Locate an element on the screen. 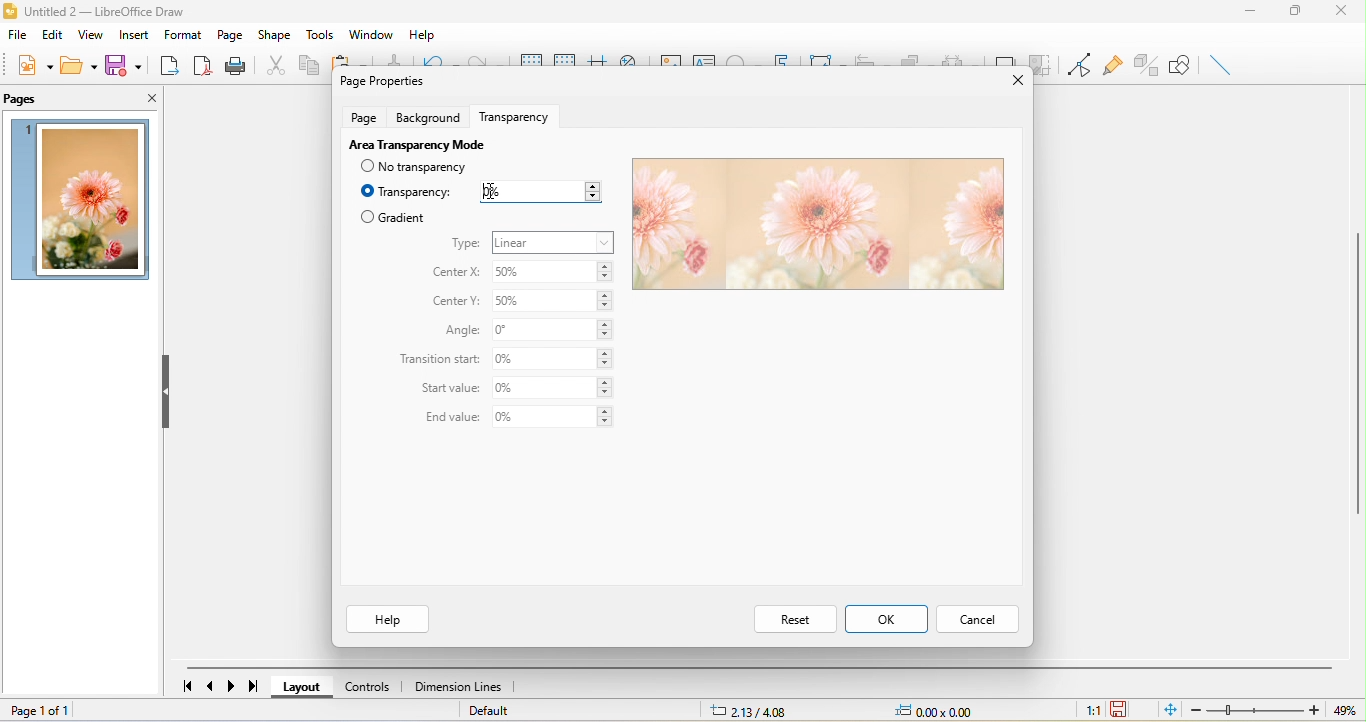  0% is located at coordinates (552, 418).